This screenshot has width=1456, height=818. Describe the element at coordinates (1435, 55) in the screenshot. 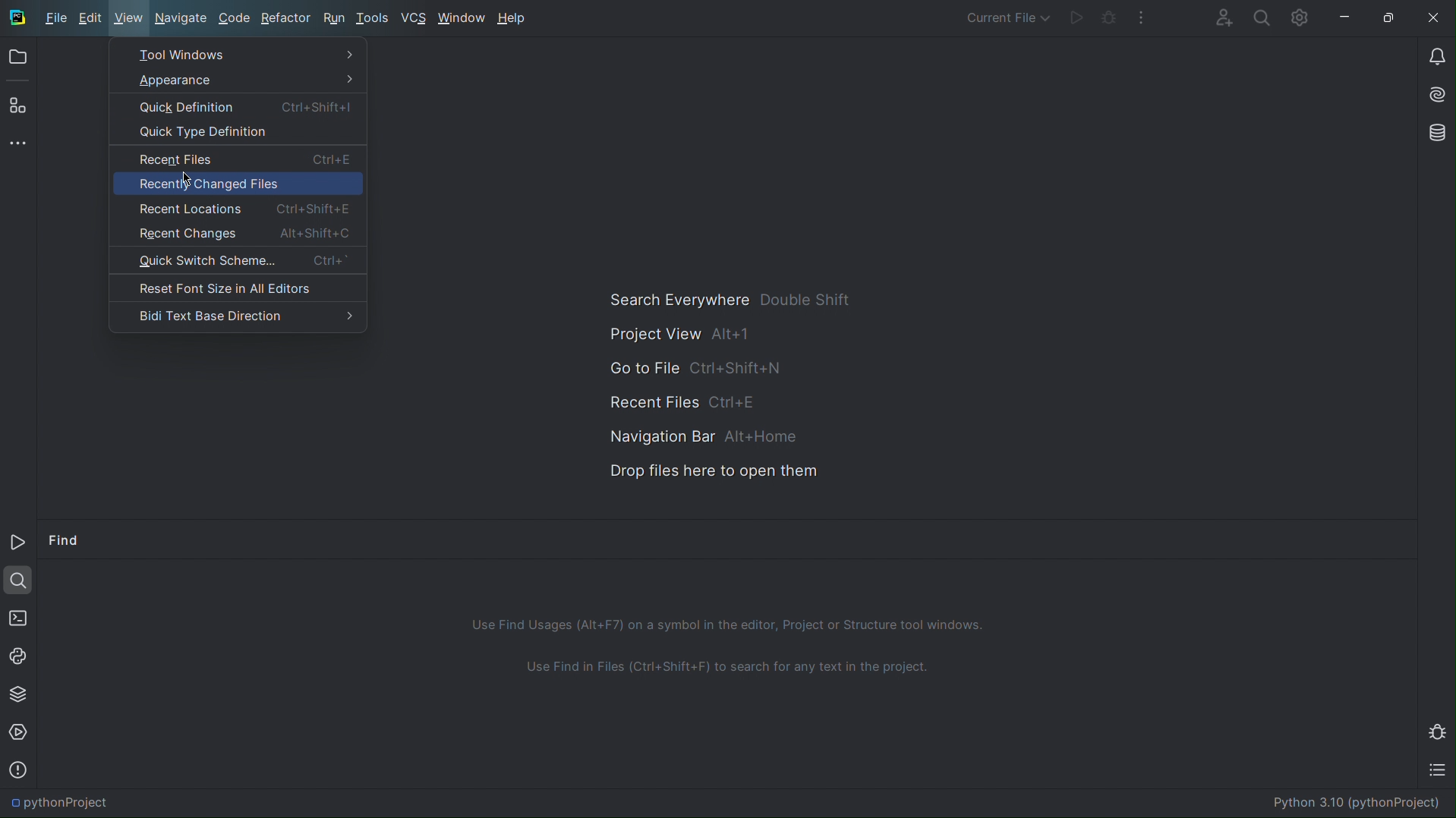

I see `Notifications` at that location.